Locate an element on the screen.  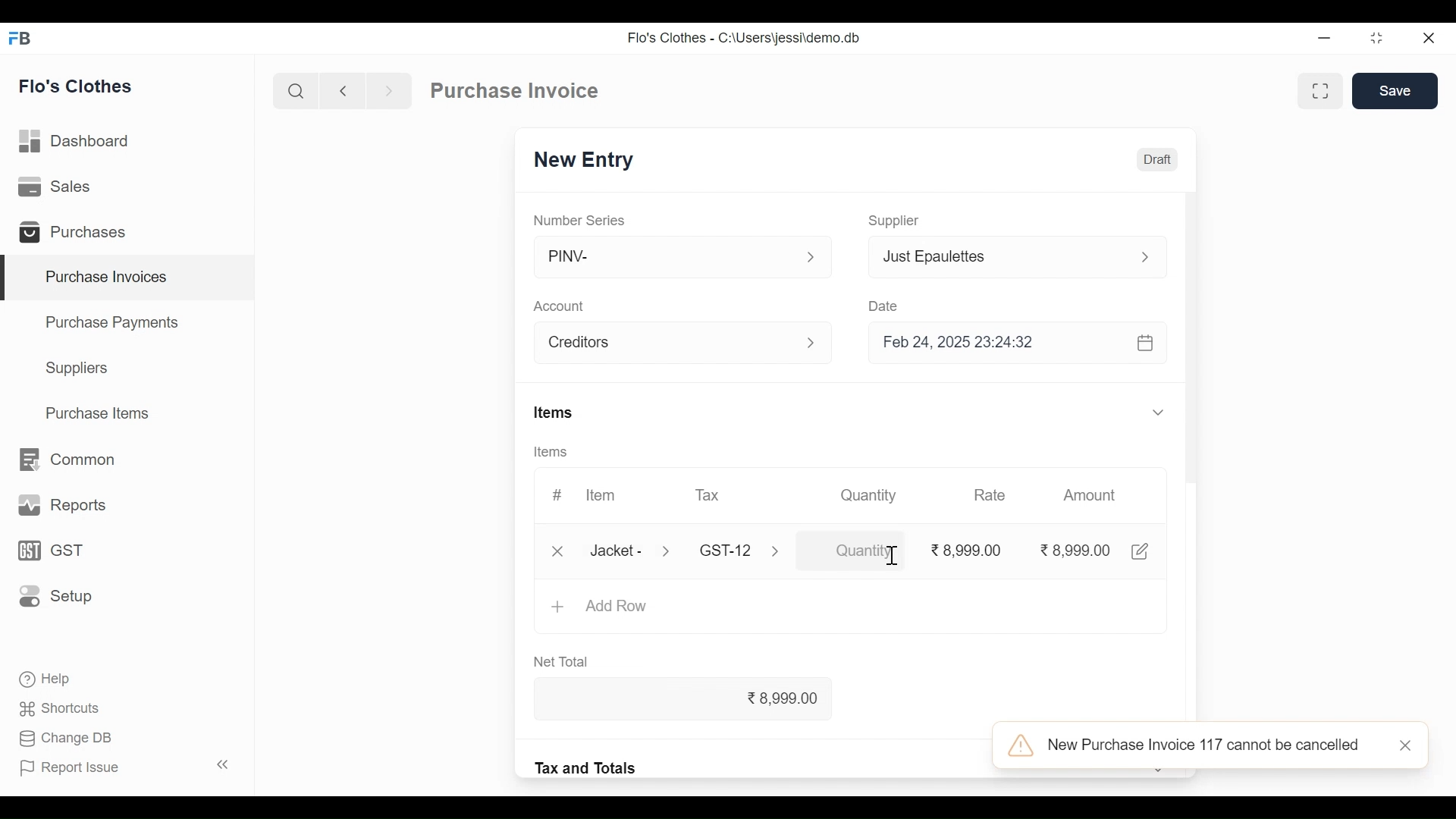
Vertical Scroll bar is located at coordinates (1197, 416).